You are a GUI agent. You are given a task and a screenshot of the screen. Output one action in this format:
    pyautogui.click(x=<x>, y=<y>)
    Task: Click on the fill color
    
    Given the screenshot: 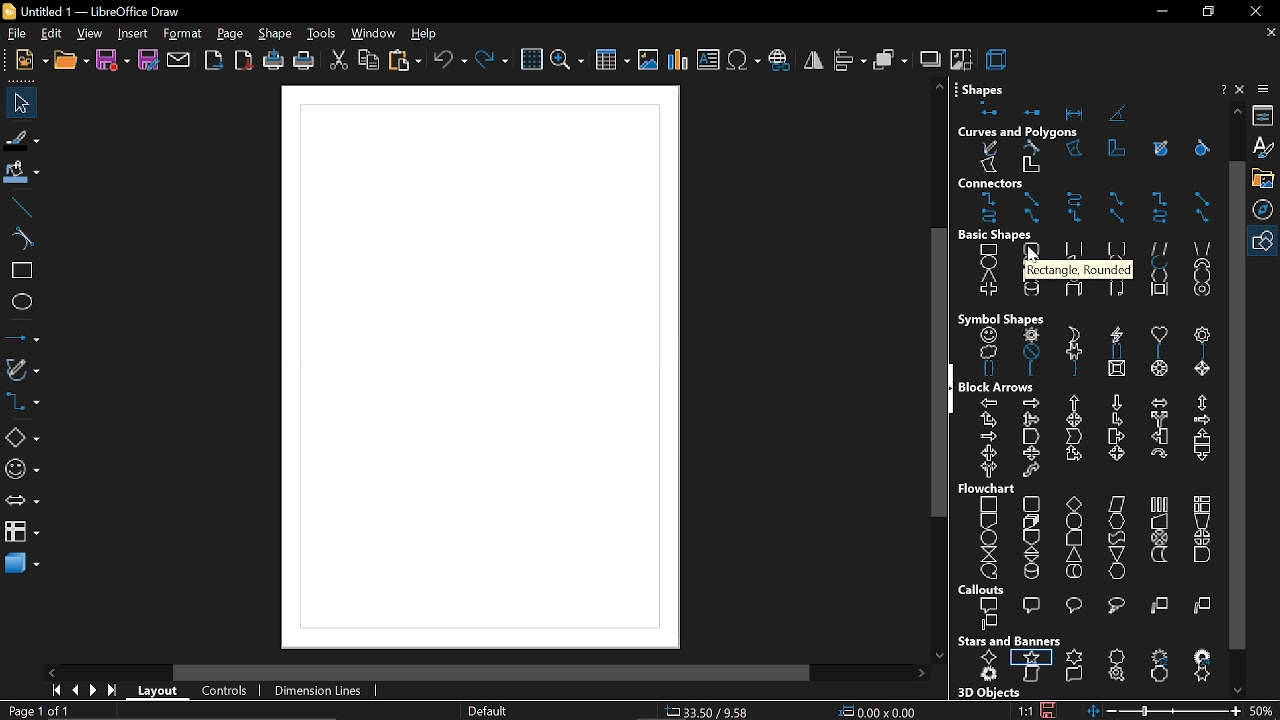 What is the action you would take?
    pyautogui.click(x=23, y=173)
    